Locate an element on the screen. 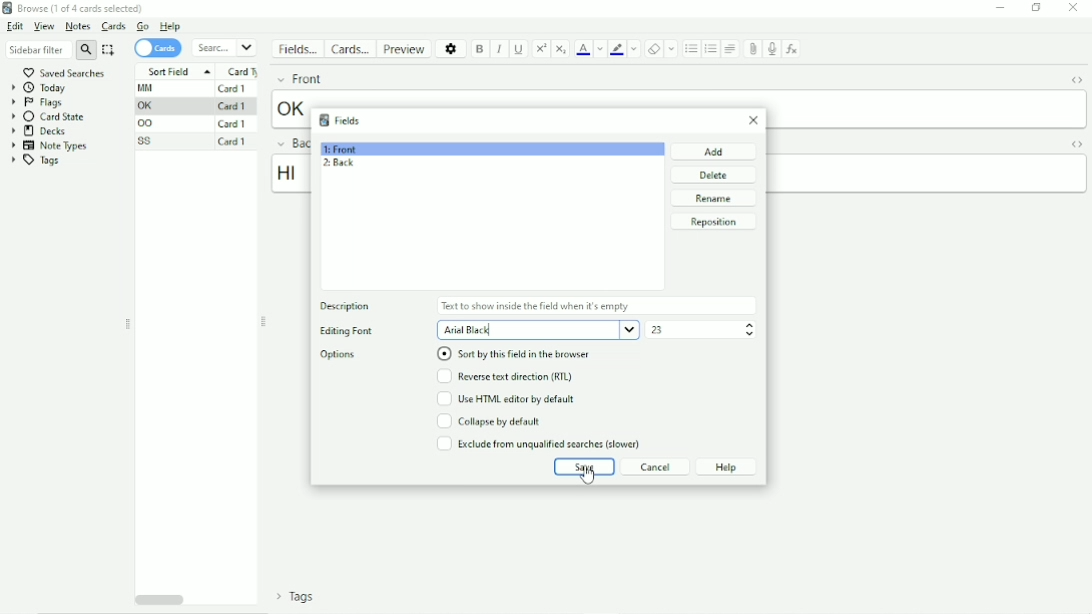 The image size is (1092, 614). Tags is located at coordinates (41, 161).